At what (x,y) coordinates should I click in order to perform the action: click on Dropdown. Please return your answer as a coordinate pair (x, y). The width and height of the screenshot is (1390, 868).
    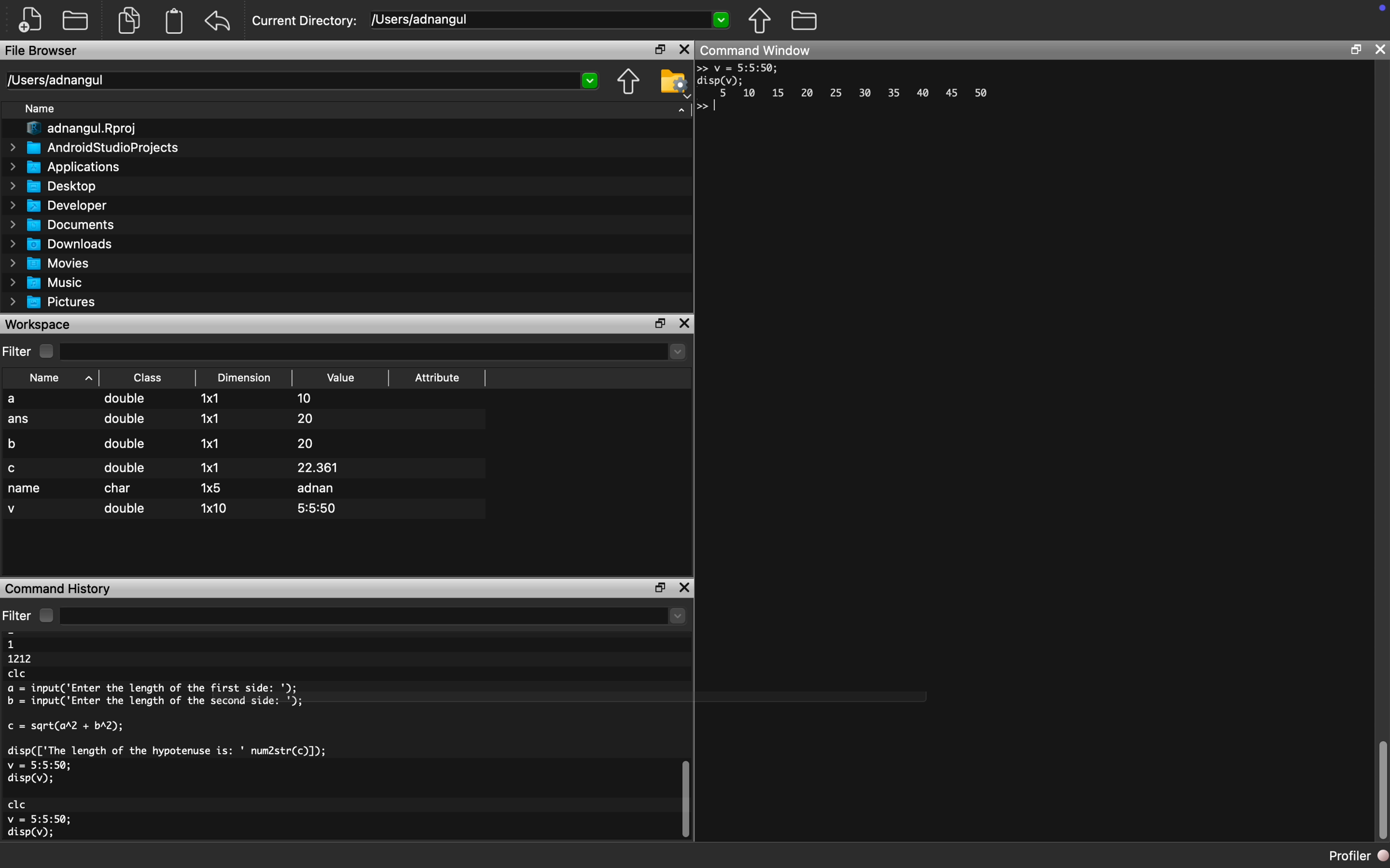
    Looking at the image, I should click on (720, 20).